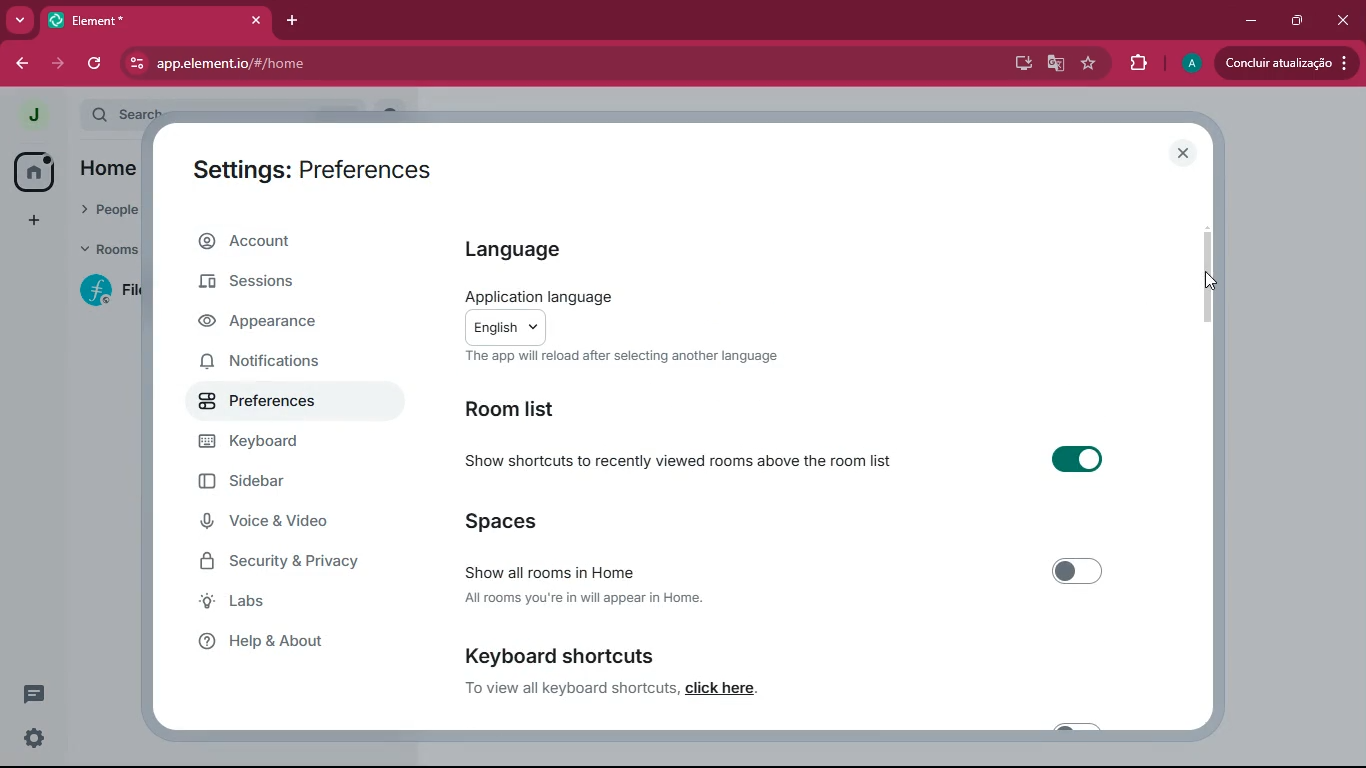 The height and width of the screenshot is (768, 1366). What do you see at coordinates (292, 482) in the screenshot?
I see `sidebar` at bounding box center [292, 482].